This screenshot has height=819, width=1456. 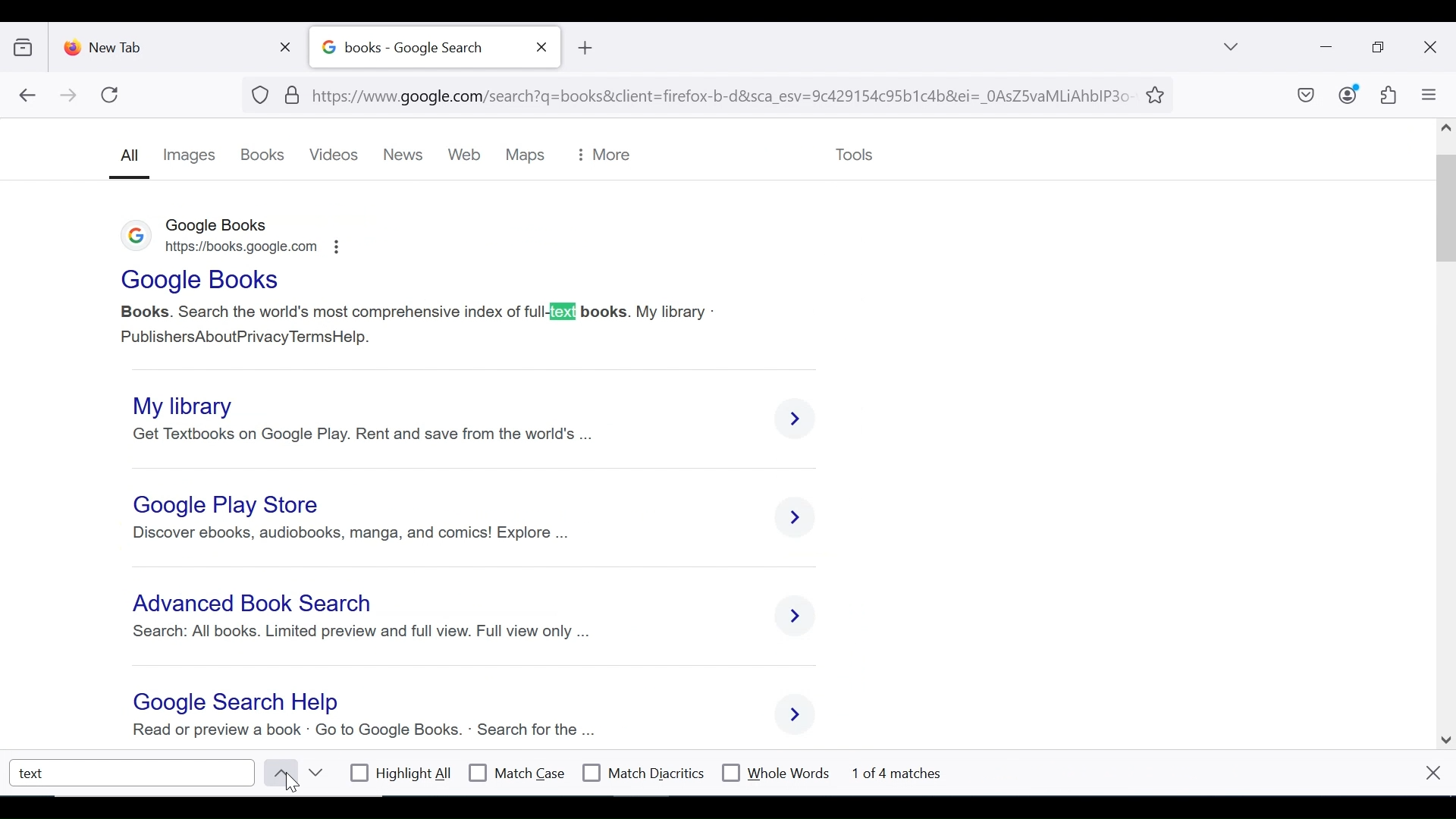 I want to click on Google Play Store, so click(x=230, y=505).